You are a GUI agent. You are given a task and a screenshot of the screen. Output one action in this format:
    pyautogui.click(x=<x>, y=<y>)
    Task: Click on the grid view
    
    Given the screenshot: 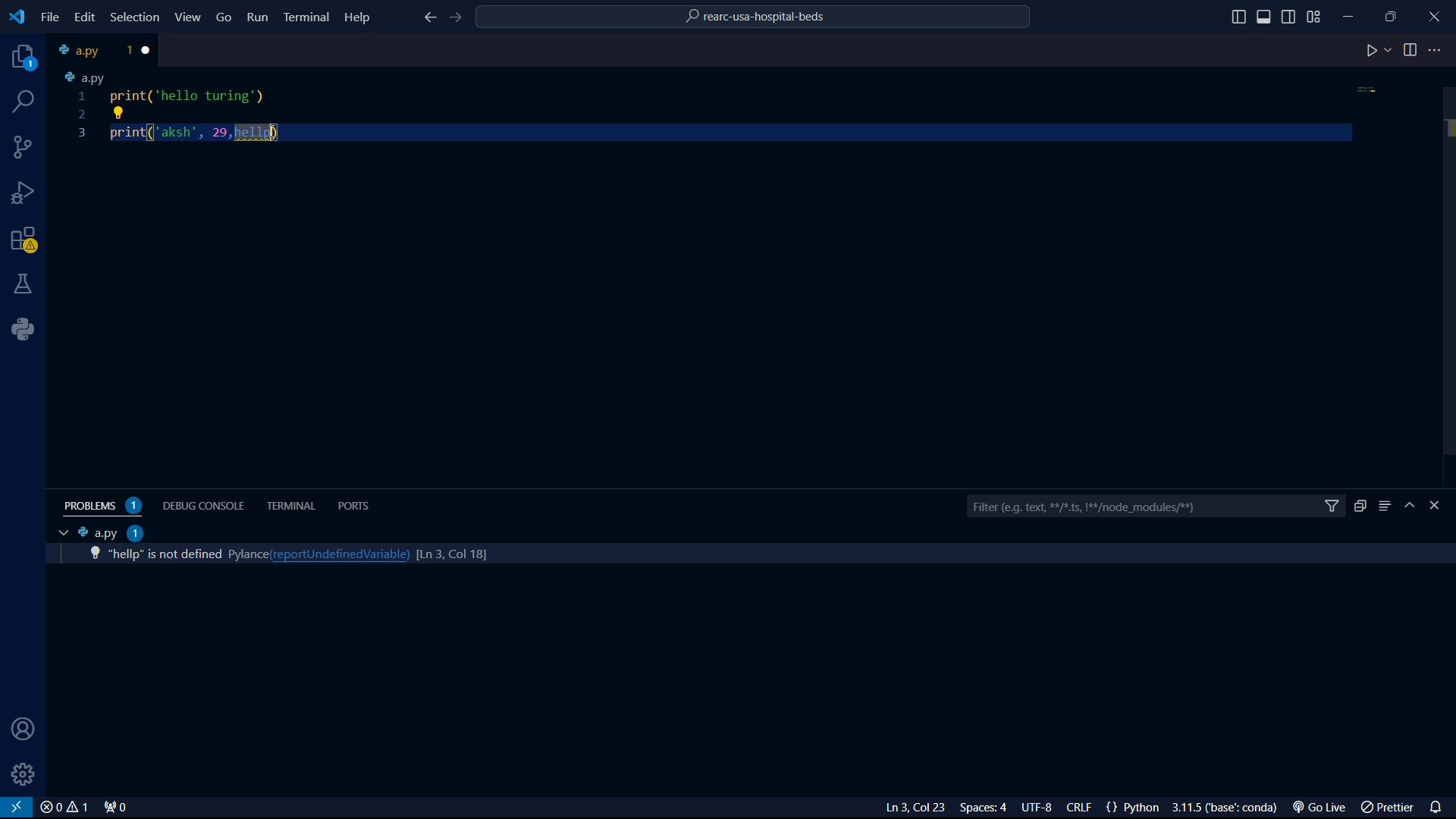 What is the action you would take?
    pyautogui.click(x=1314, y=17)
    